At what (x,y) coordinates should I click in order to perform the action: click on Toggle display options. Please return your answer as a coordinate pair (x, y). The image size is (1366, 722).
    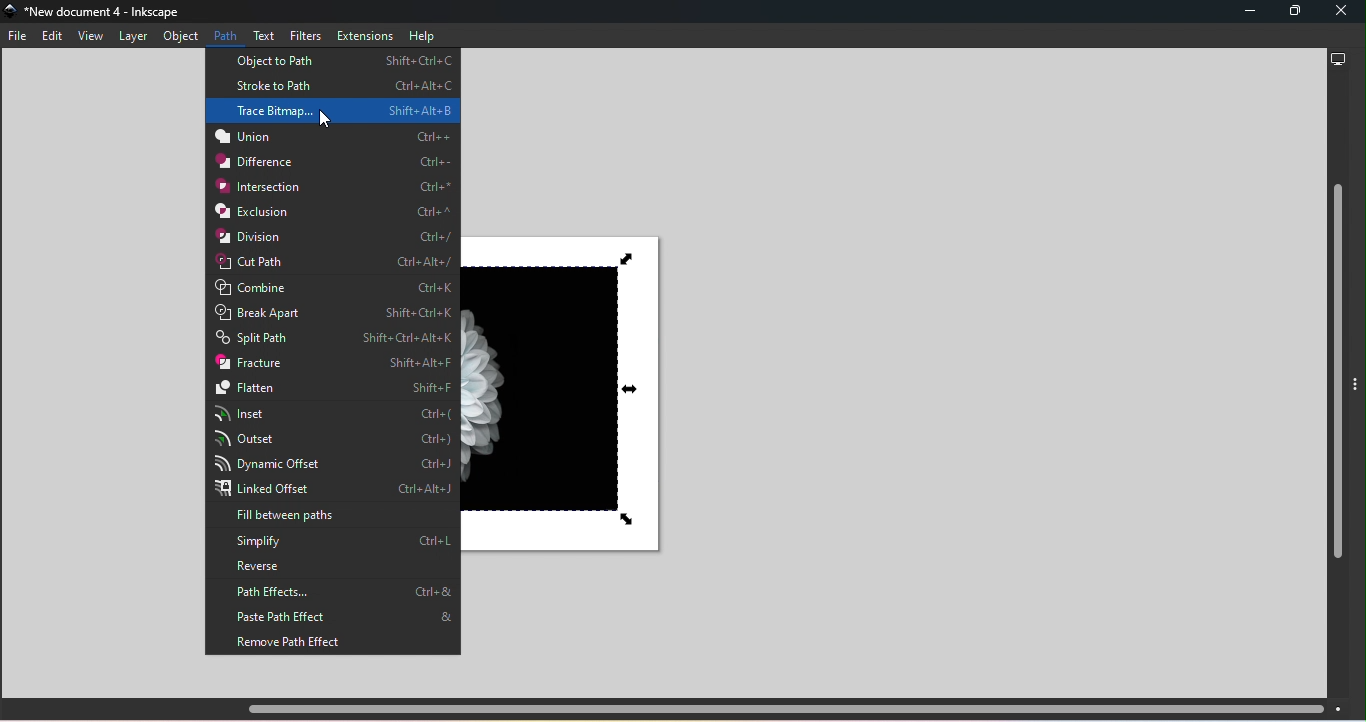
    Looking at the image, I should click on (1358, 380).